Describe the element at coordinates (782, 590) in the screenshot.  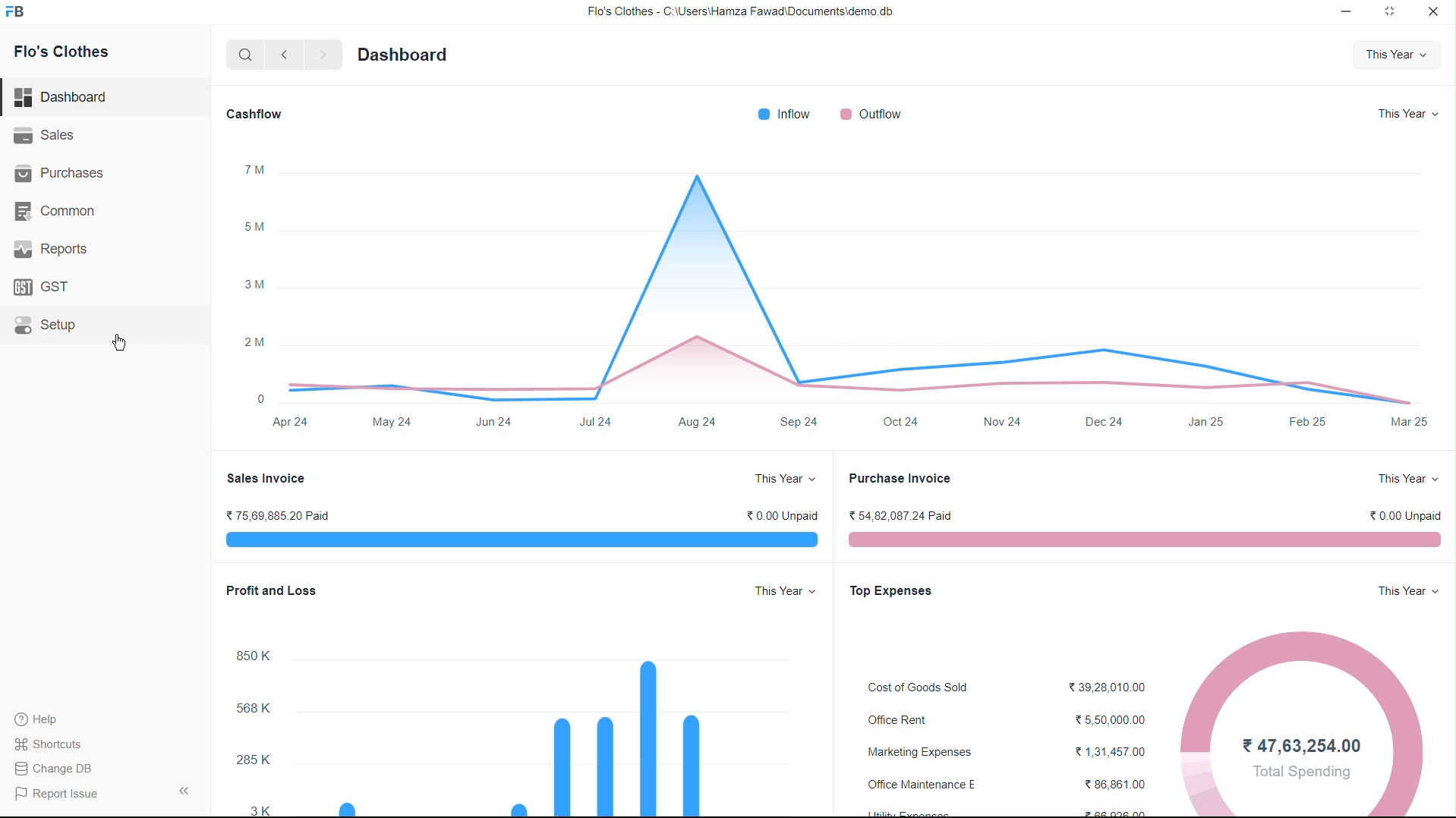
I see `This year` at that location.